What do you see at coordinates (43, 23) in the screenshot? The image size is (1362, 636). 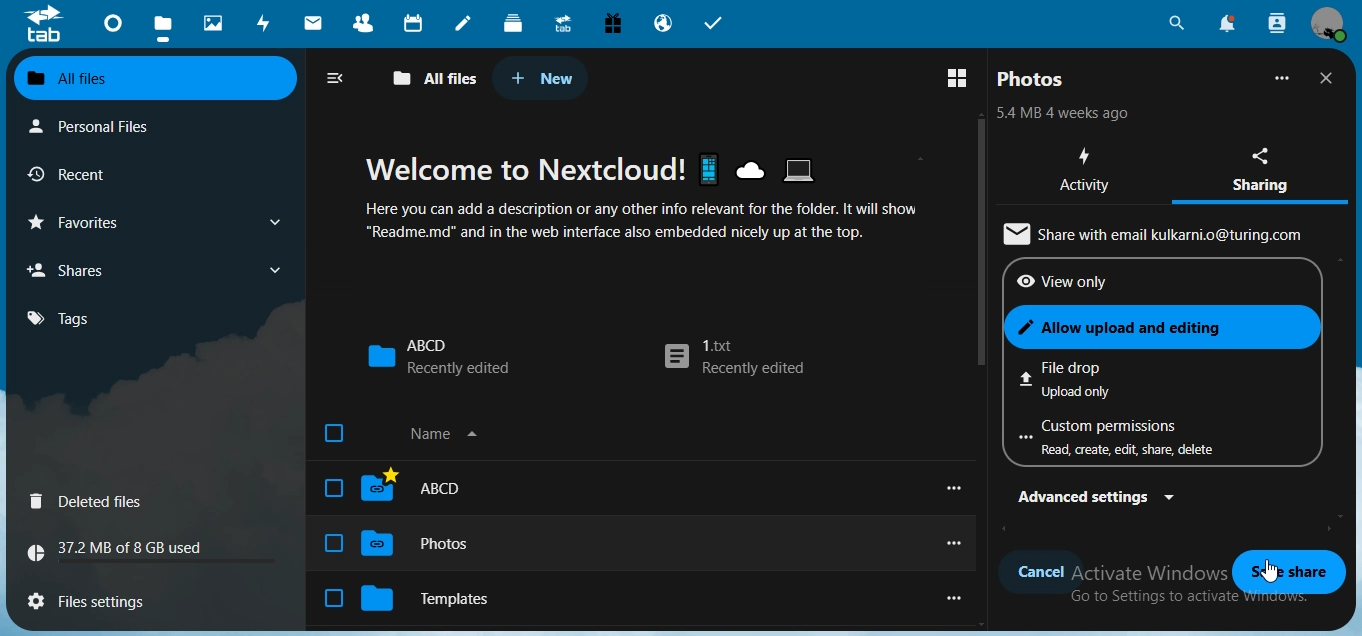 I see `icon` at bounding box center [43, 23].